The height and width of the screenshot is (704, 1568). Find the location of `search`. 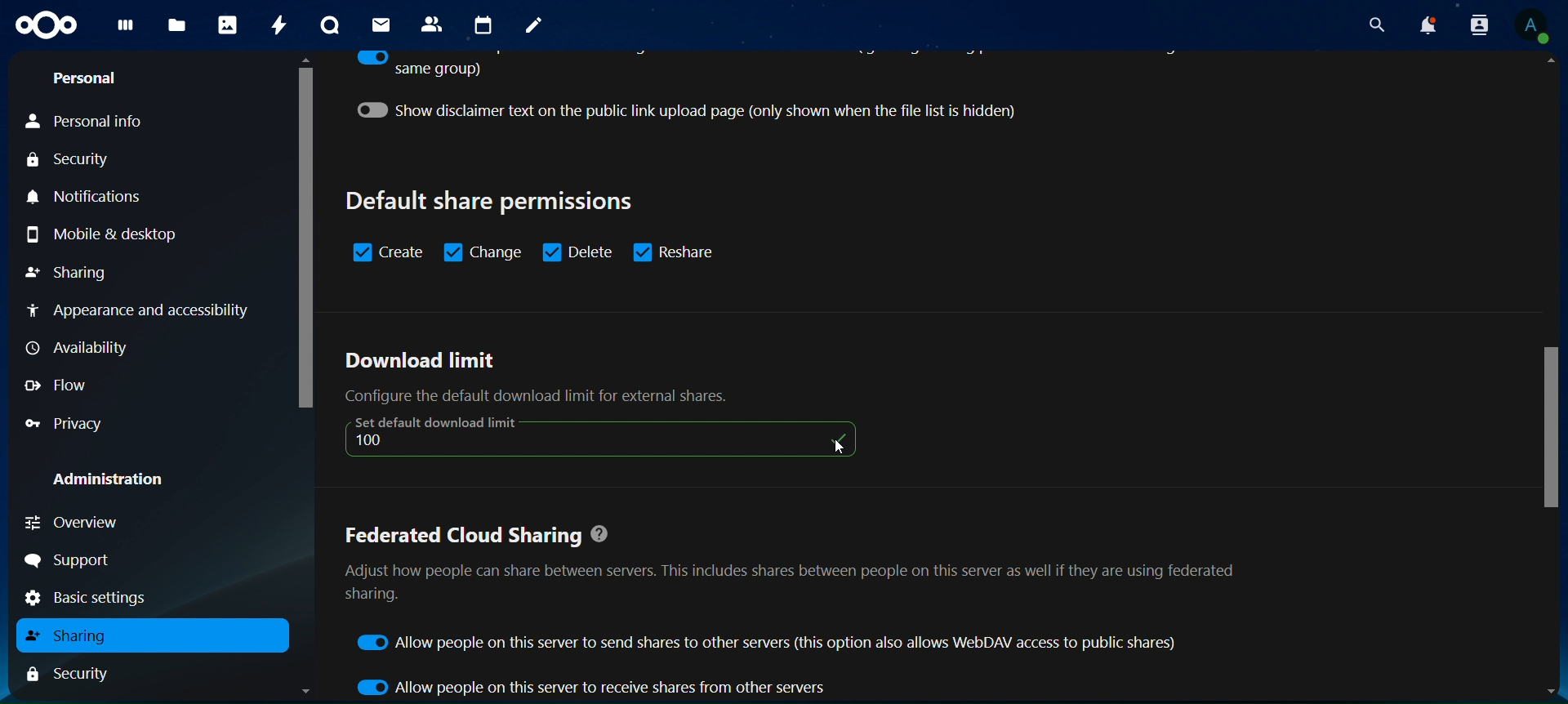

search is located at coordinates (1374, 22).